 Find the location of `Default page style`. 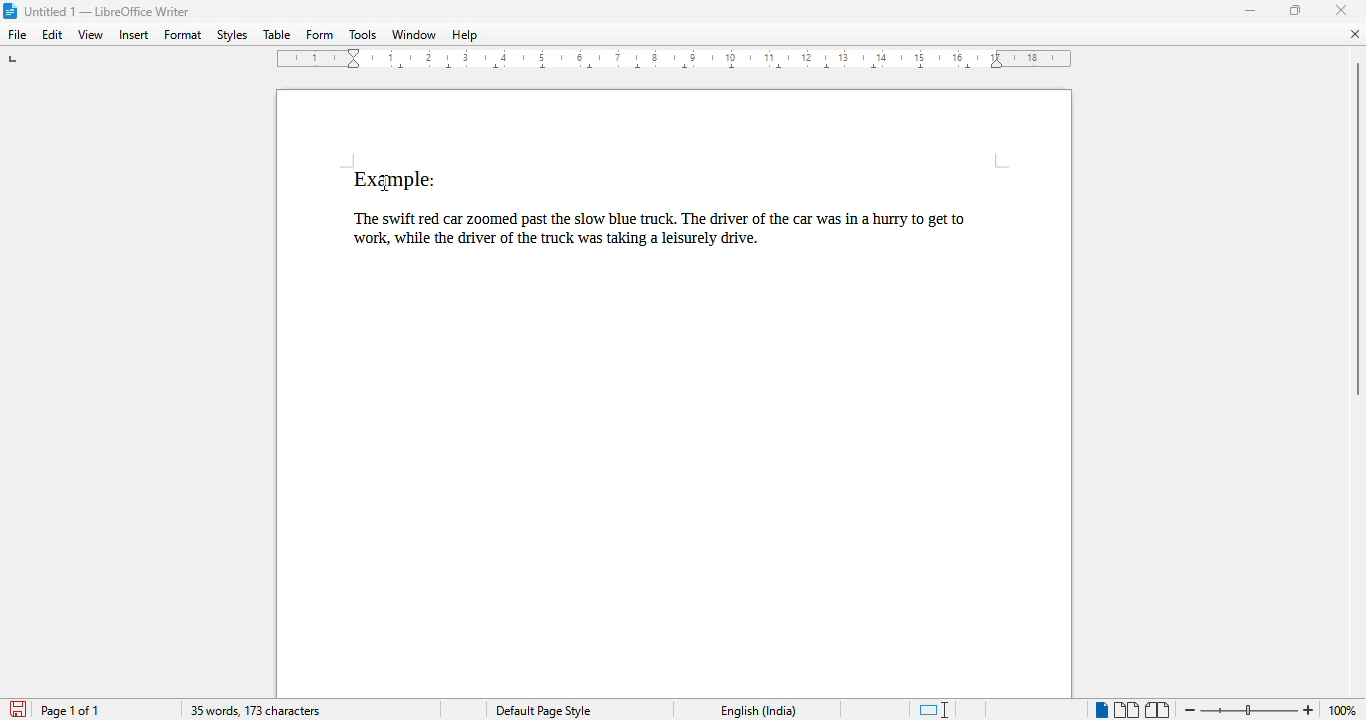

Default page style is located at coordinates (543, 711).